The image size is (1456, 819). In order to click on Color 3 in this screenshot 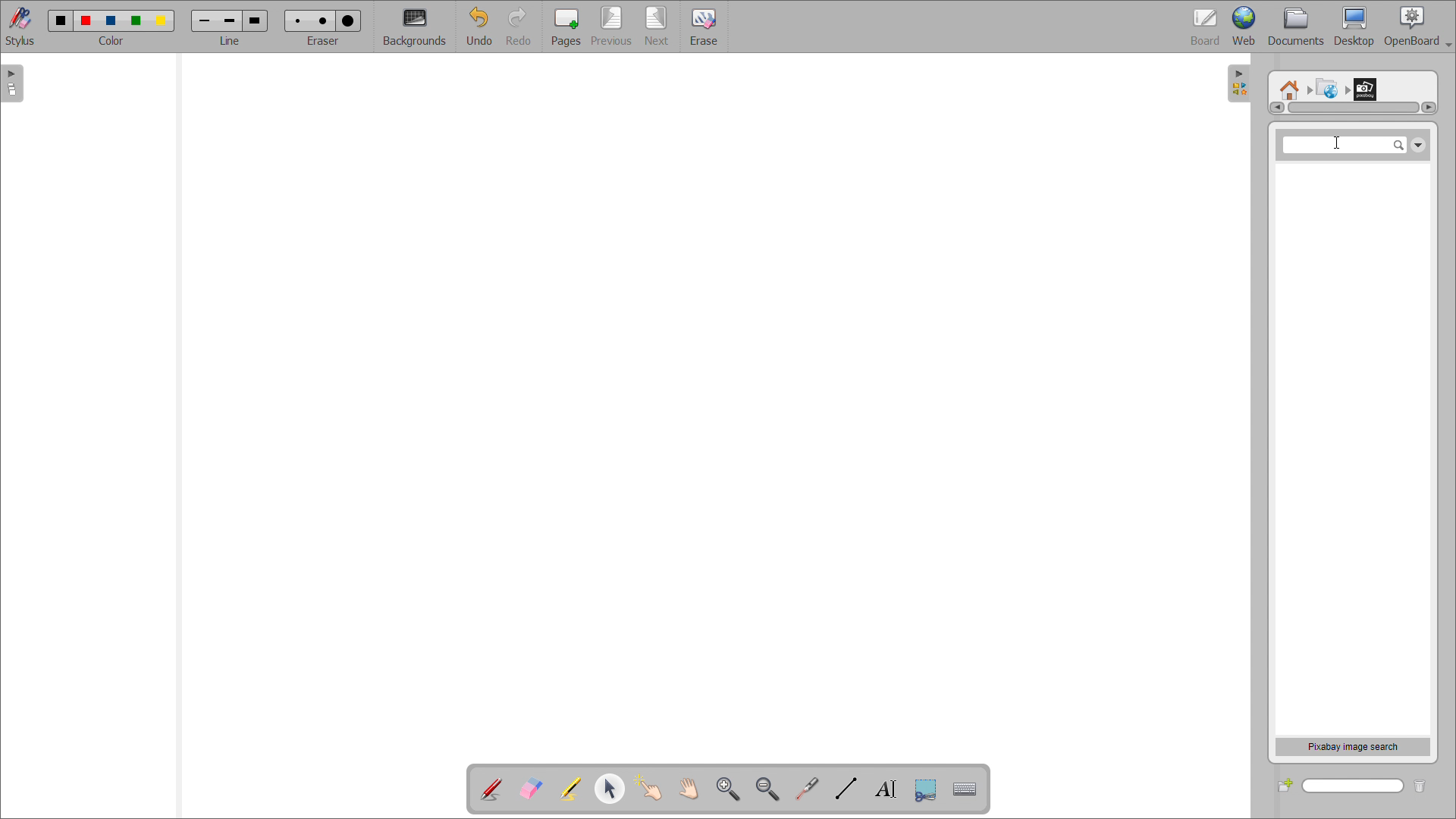, I will do `click(110, 20)`.